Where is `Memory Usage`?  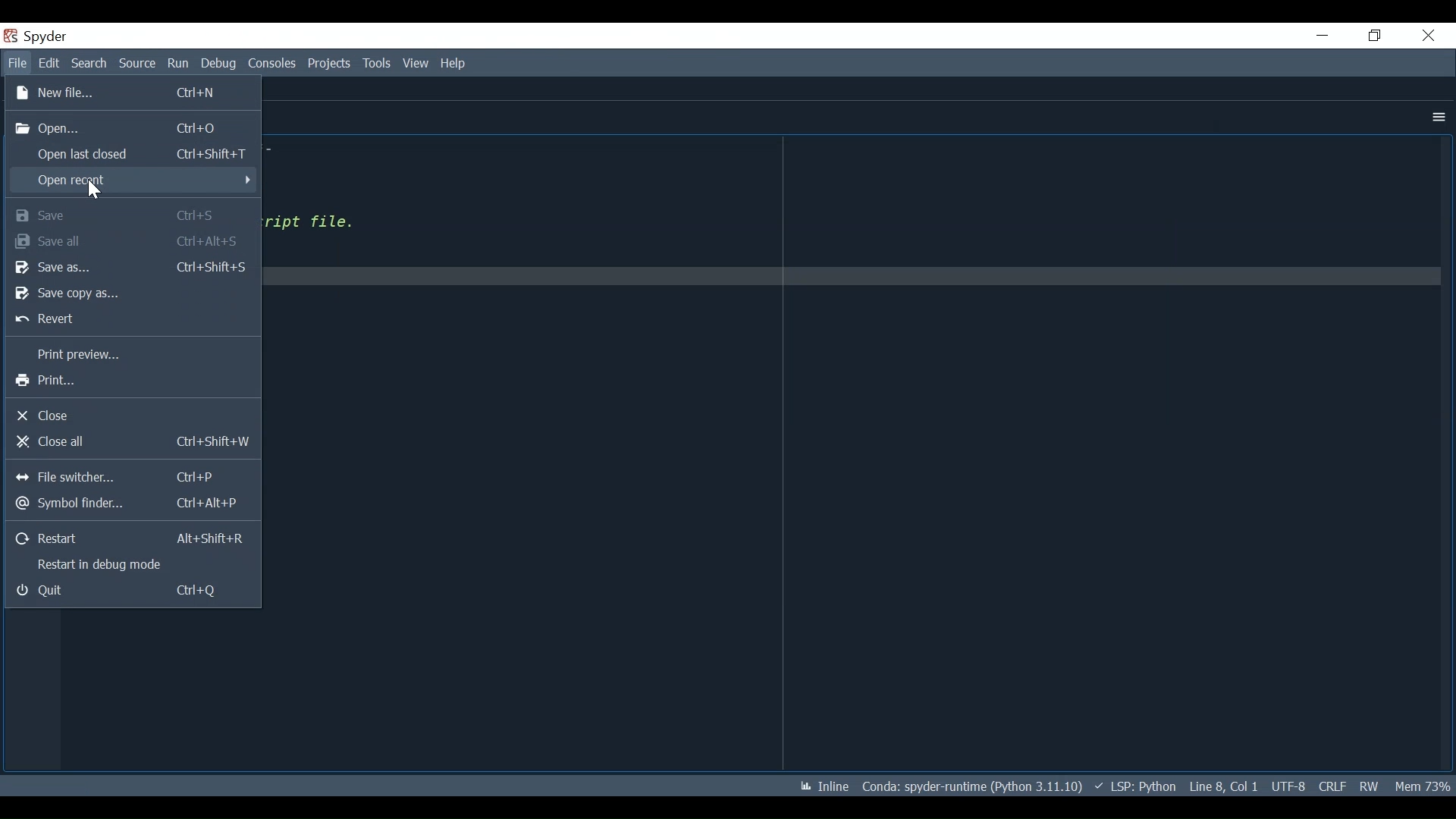
Memory Usage is located at coordinates (1423, 785).